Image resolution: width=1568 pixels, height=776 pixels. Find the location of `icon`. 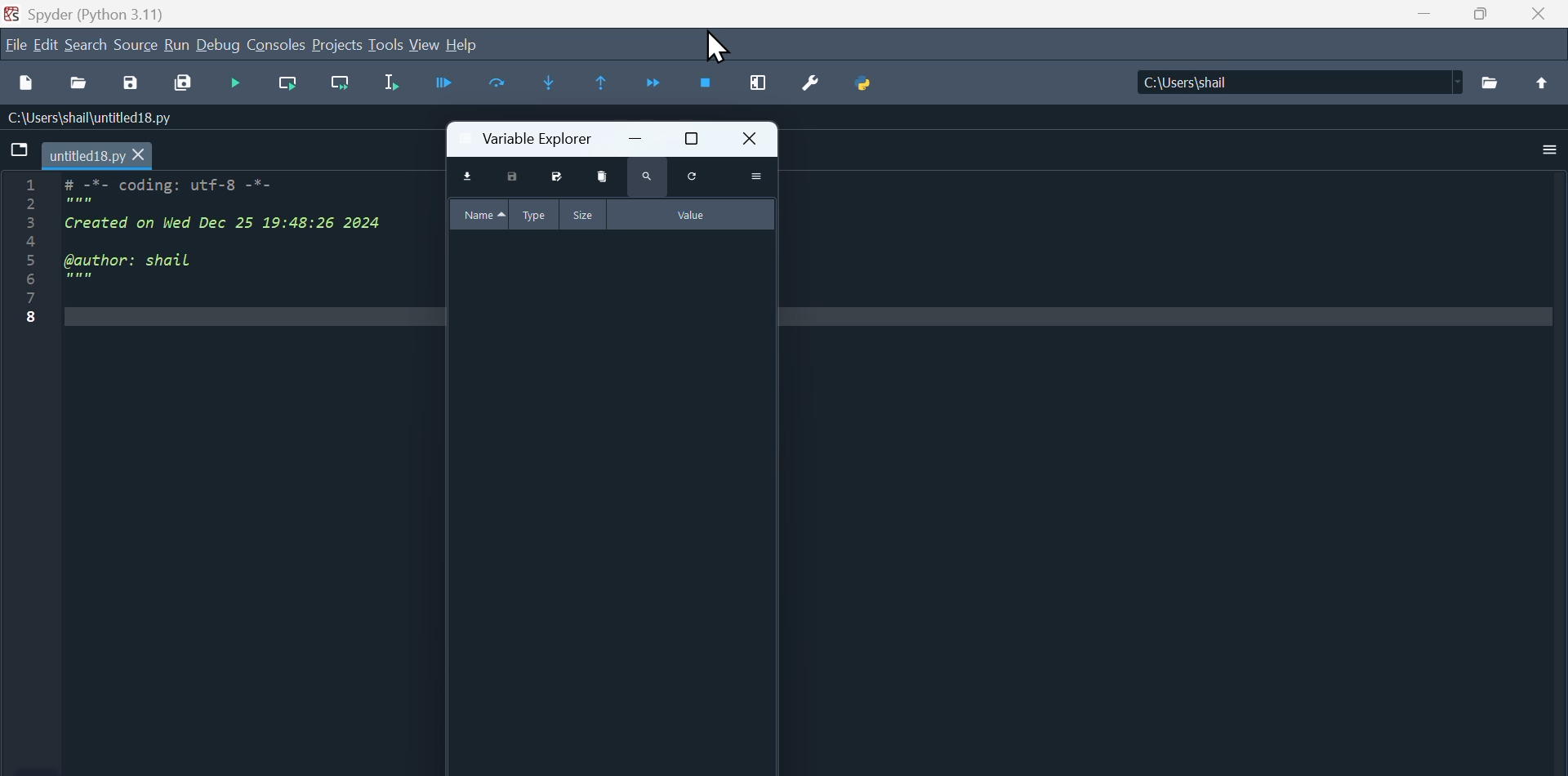

icon is located at coordinates (20, 154).